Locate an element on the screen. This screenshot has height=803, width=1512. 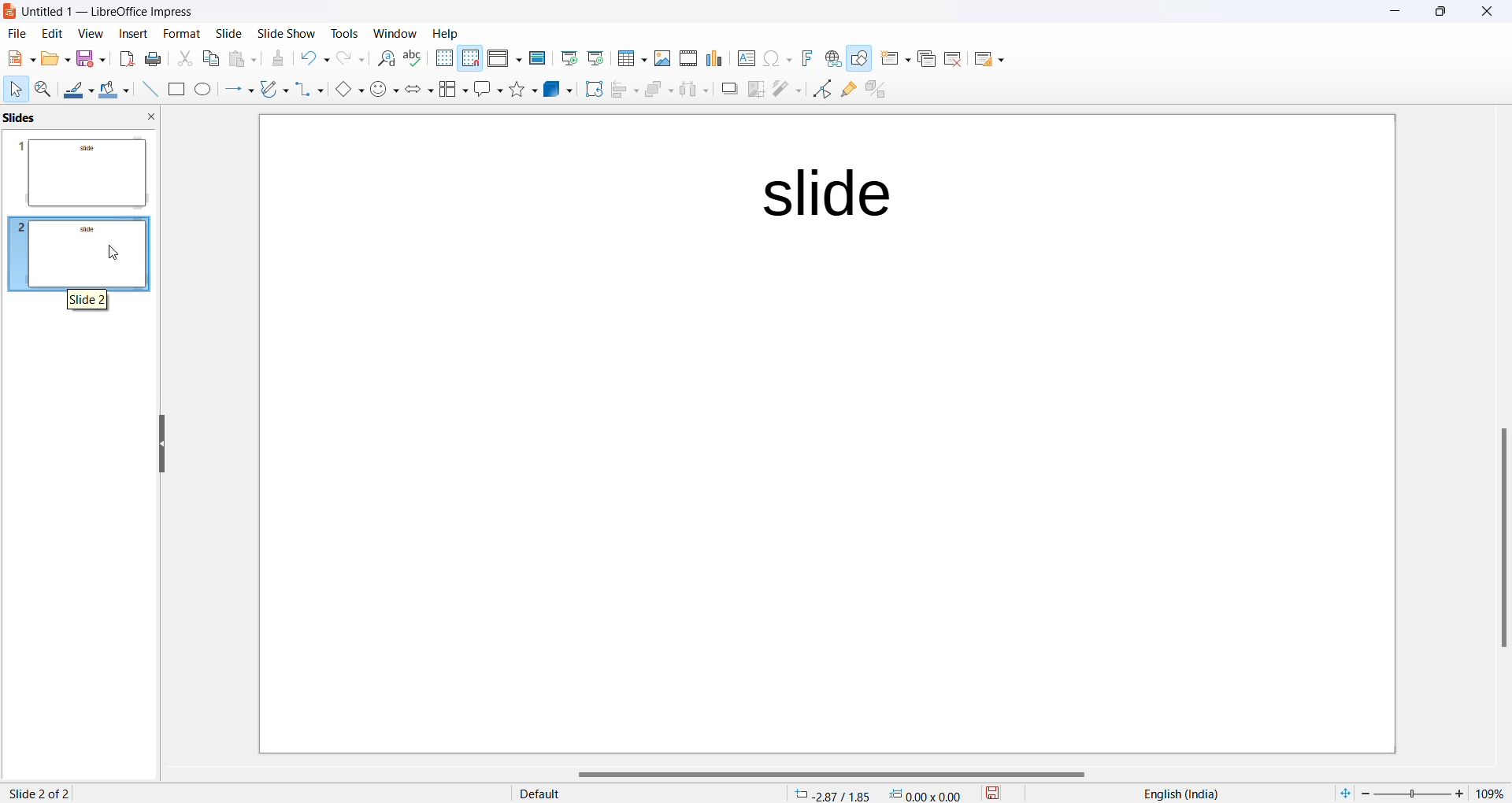
minimize is located at coordinates (1391, 13).